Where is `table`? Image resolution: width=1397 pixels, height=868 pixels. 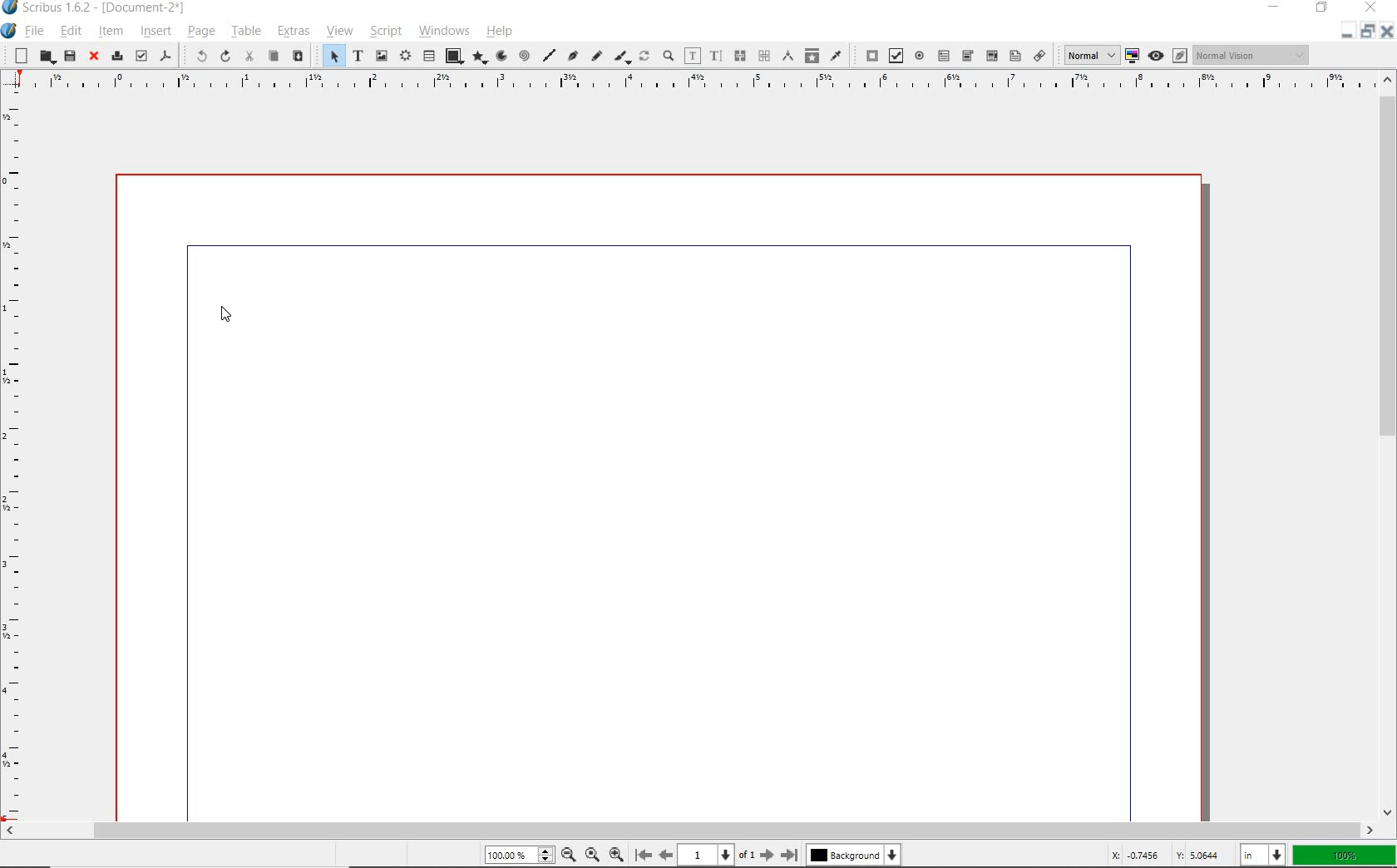 table is located at coordinates (427, 55).